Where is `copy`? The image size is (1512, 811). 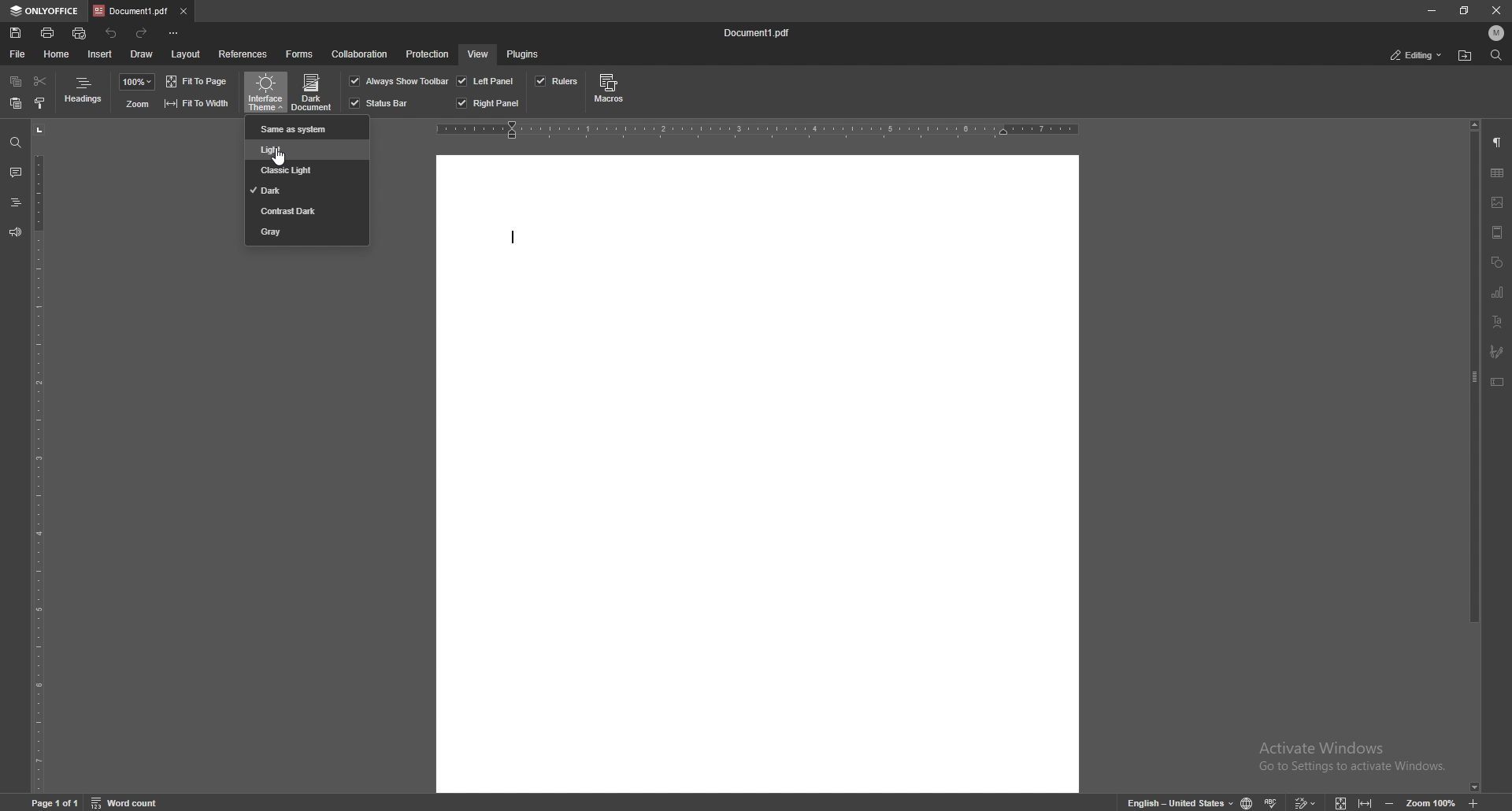
copy is located at coordinates (16, 82).